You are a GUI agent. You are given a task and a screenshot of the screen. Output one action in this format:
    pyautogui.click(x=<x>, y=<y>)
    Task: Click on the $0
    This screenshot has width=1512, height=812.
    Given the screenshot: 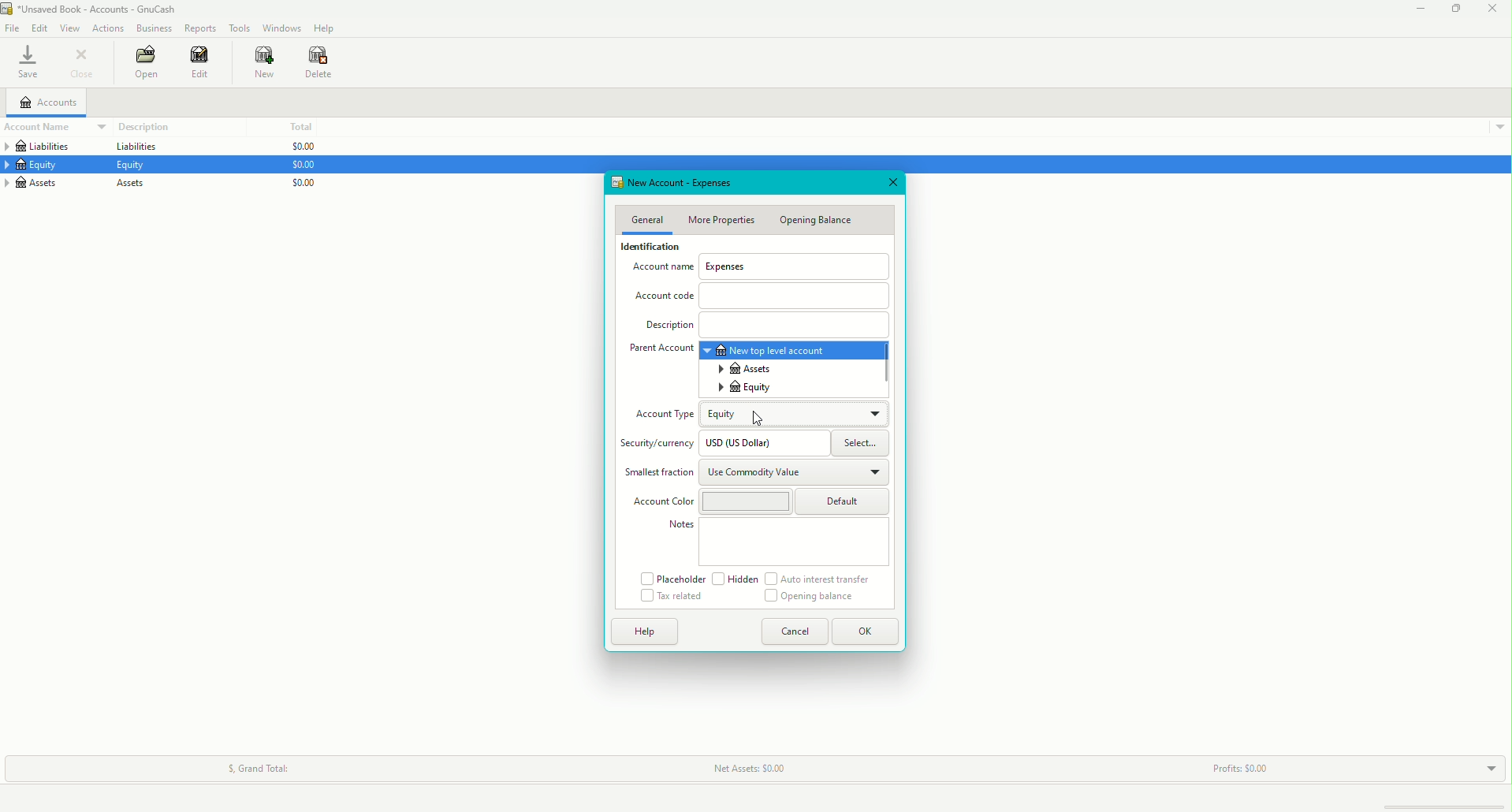 What is the action you would take?
    pyautogui.click(x=303, y=167)
    